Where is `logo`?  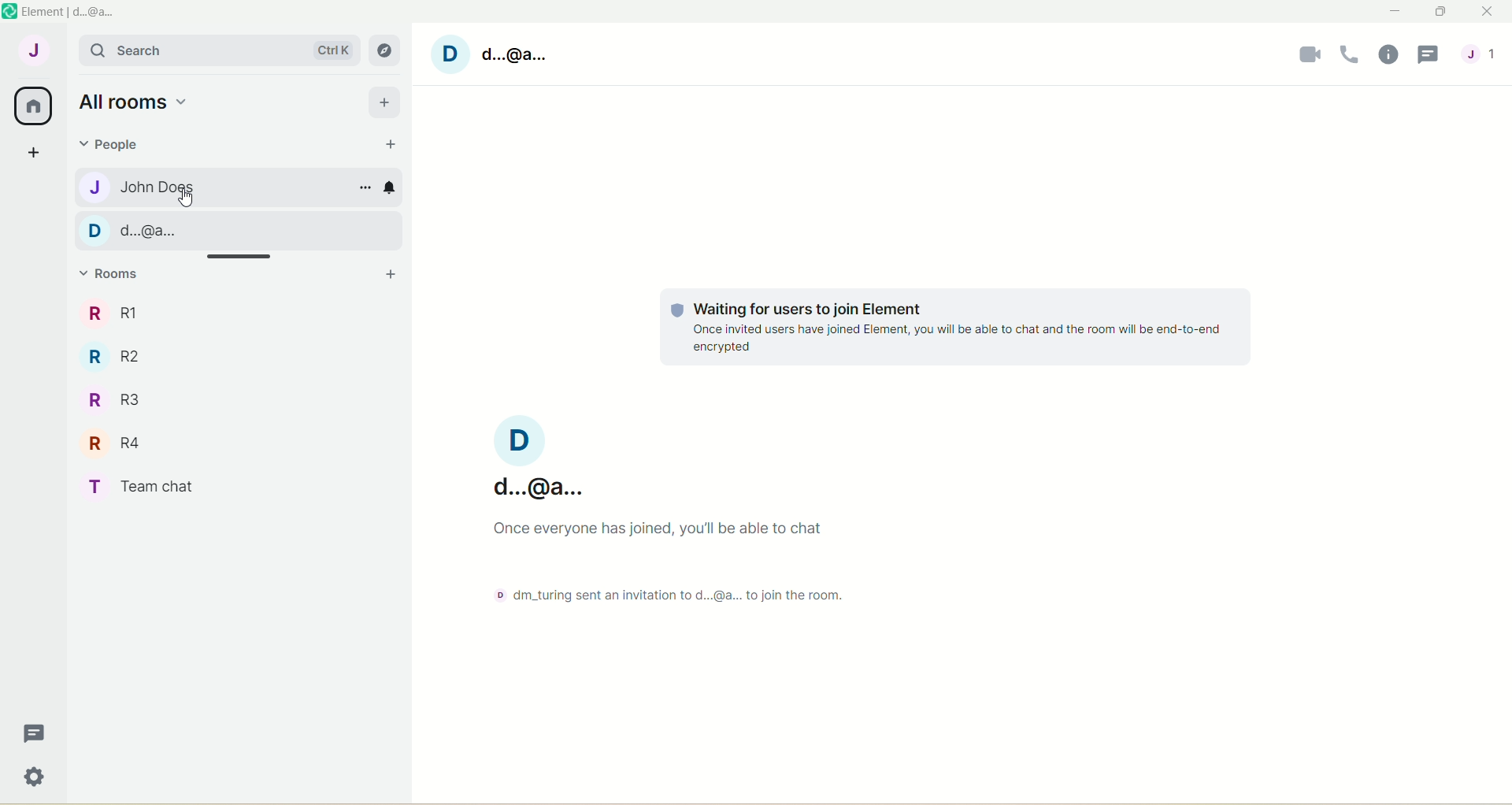 logo is located at coordinates (9, 11).